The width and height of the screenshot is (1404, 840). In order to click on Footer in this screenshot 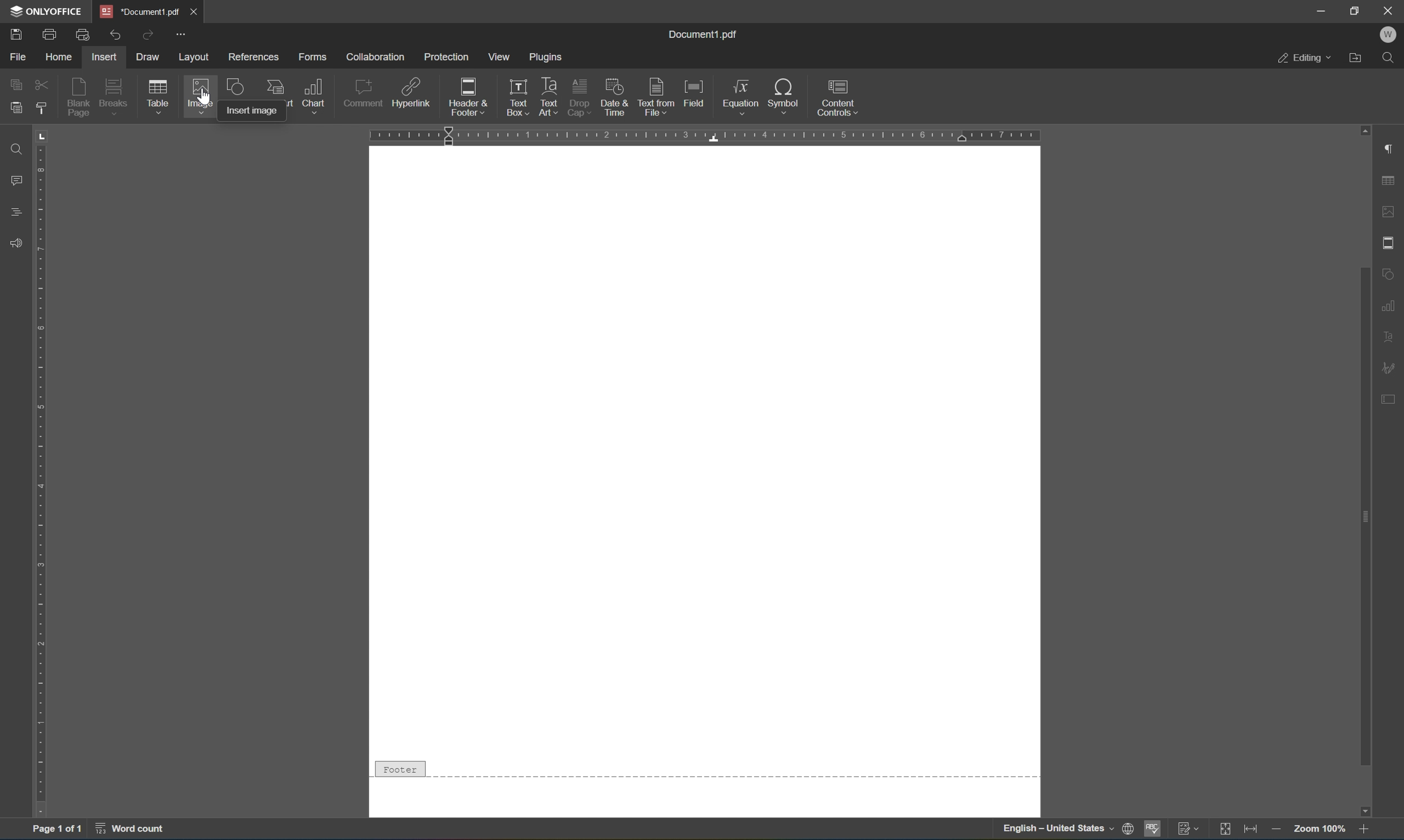, I will do `click(399, 766)`.